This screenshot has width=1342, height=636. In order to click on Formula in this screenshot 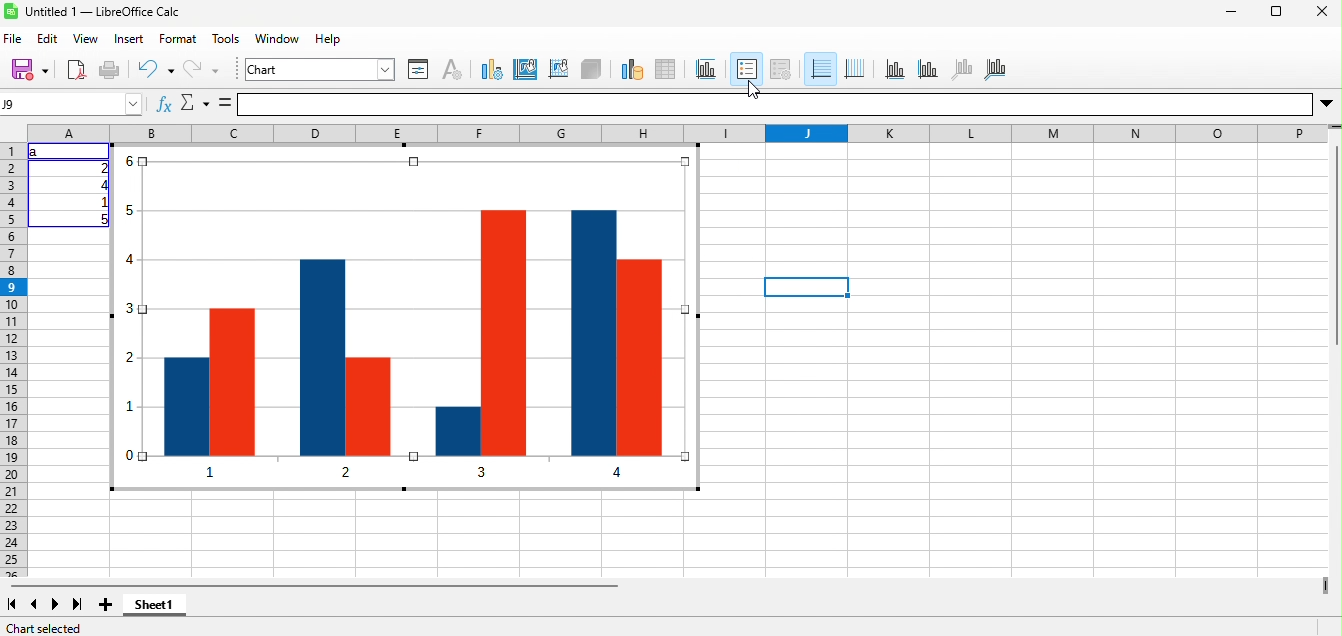, I will do `click(225, 103)`.